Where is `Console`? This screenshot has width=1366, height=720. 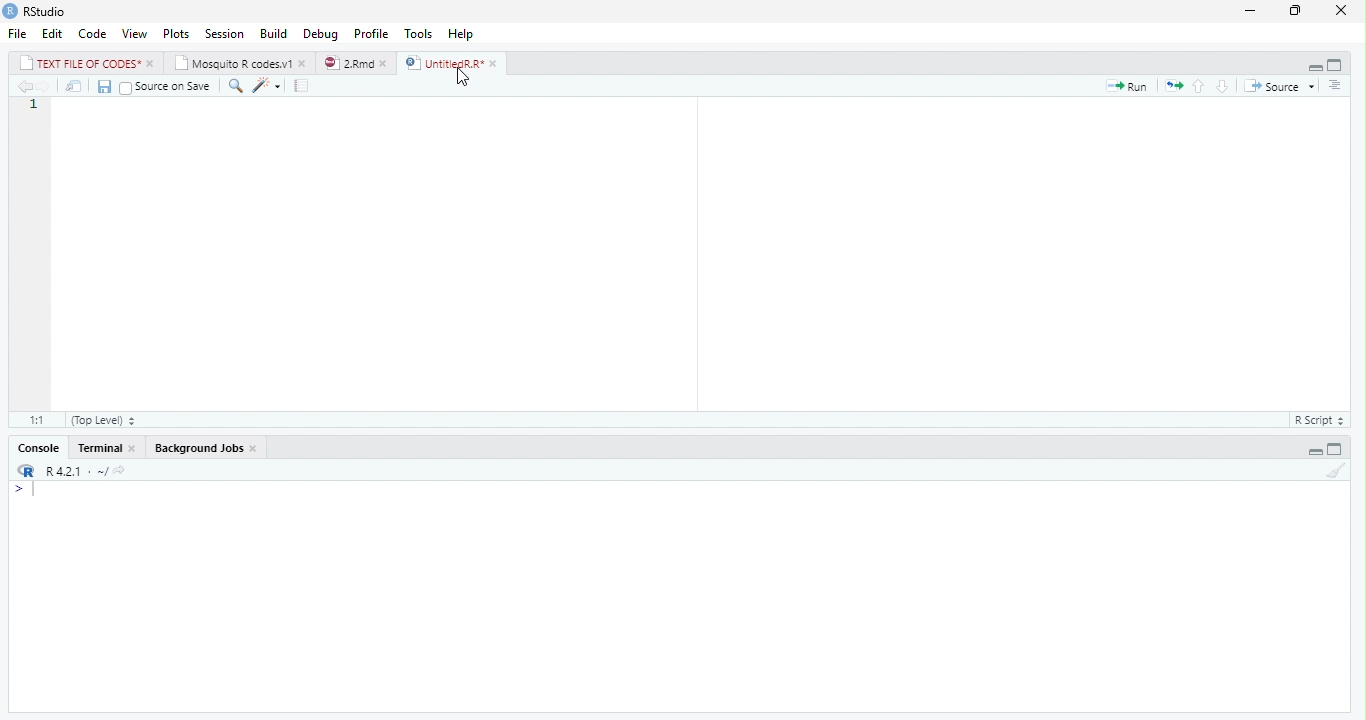 Console is located at coordinates (680, 597).